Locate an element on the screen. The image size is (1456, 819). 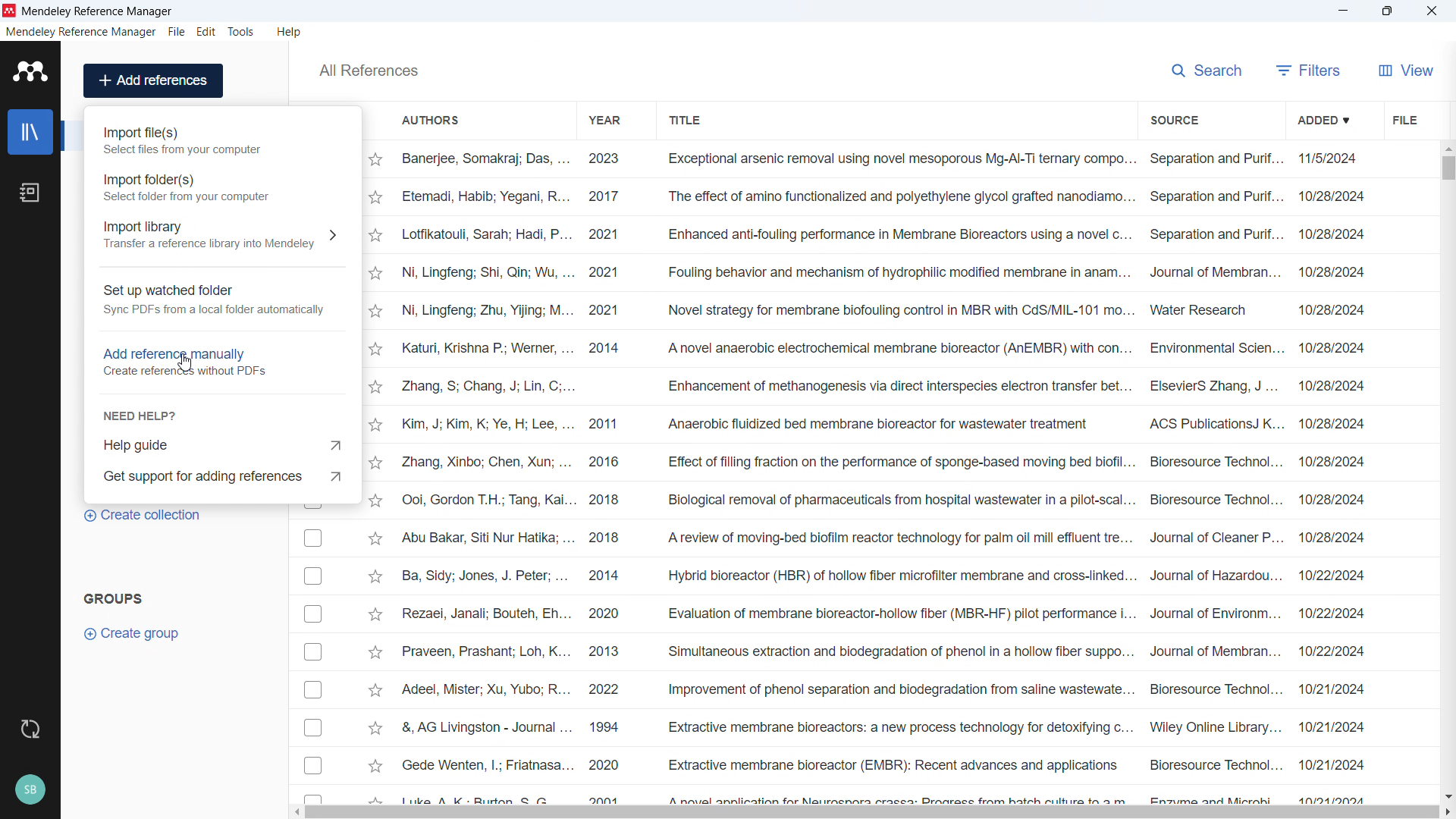
Vertical scrollbar  is located at coordinates (1448, 168).